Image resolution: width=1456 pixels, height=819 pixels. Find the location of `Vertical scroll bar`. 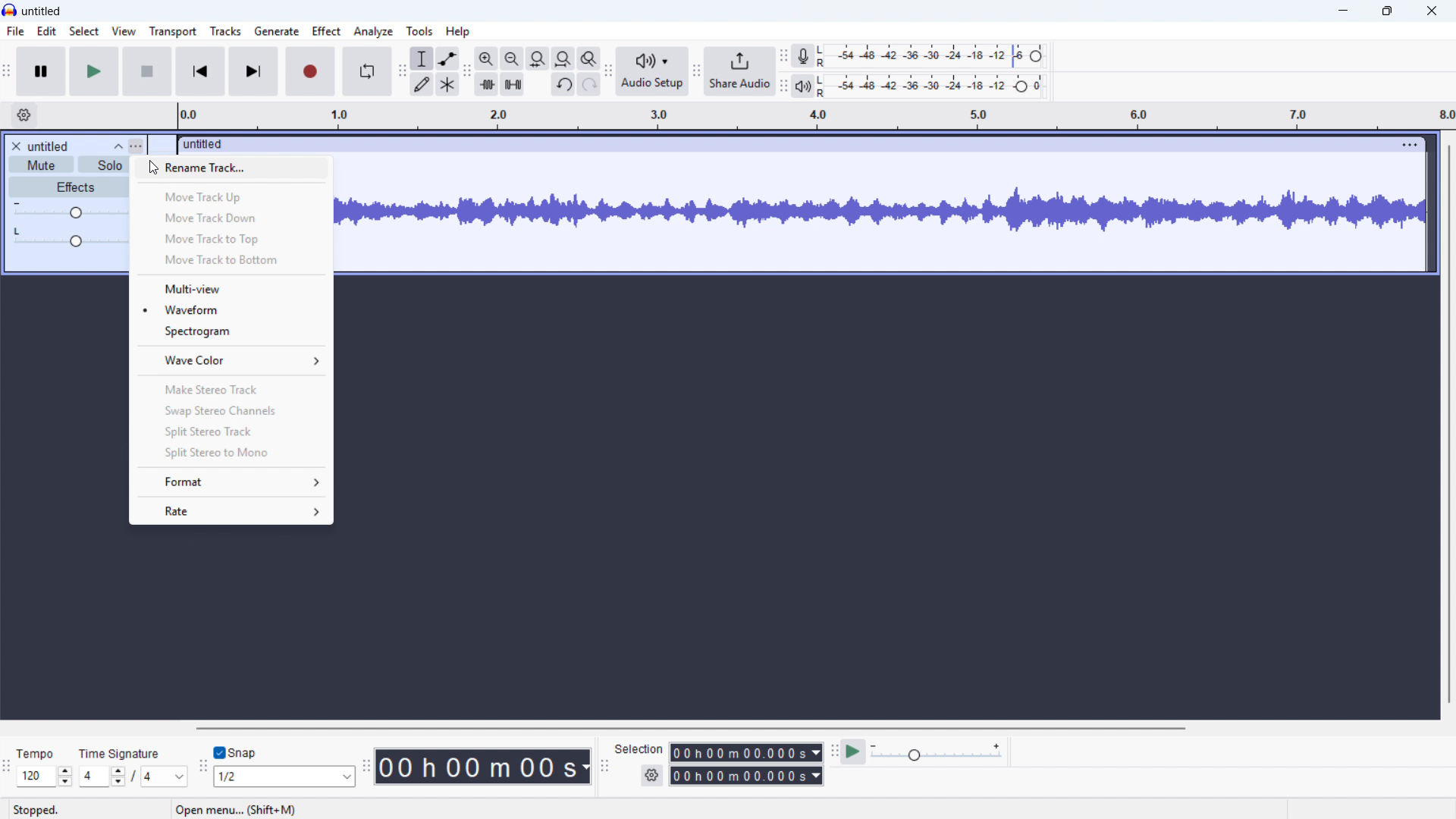

Vertical scroll bar is located at coordinates (1448, 422).